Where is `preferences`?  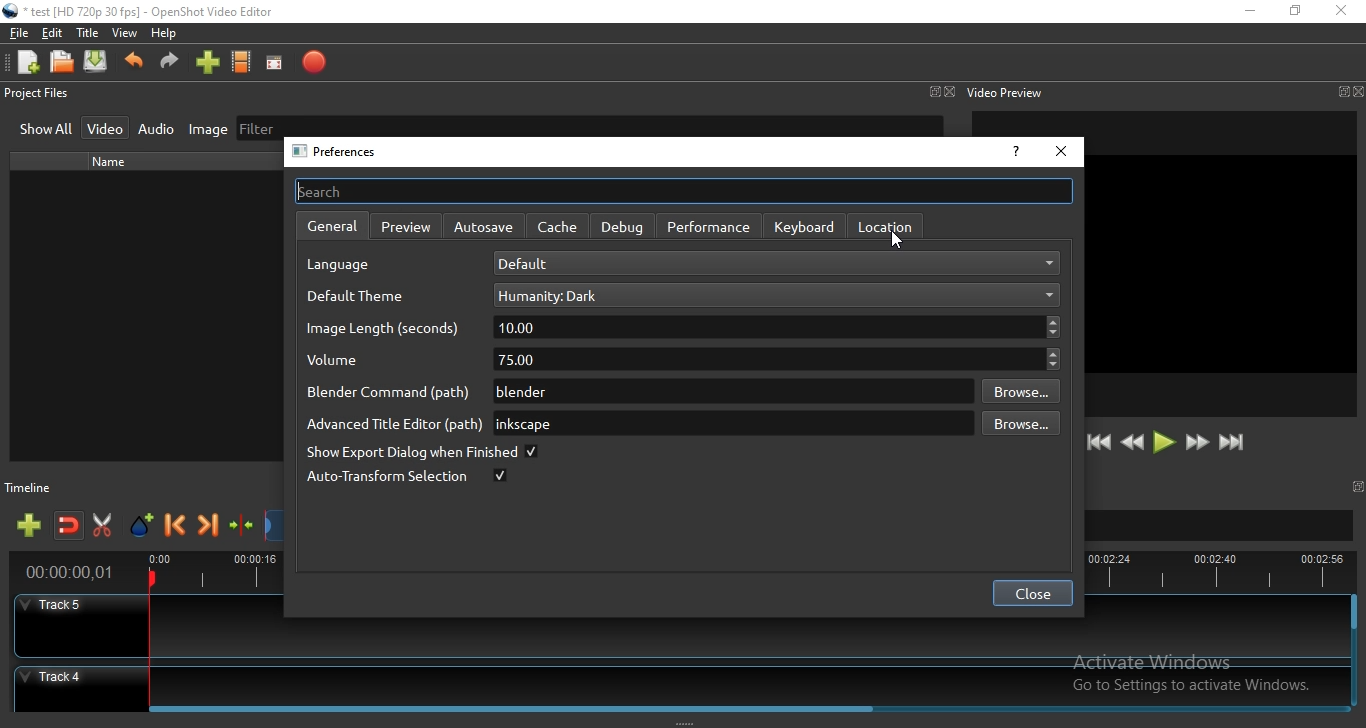
preferences is located at coordinates (341, 152).